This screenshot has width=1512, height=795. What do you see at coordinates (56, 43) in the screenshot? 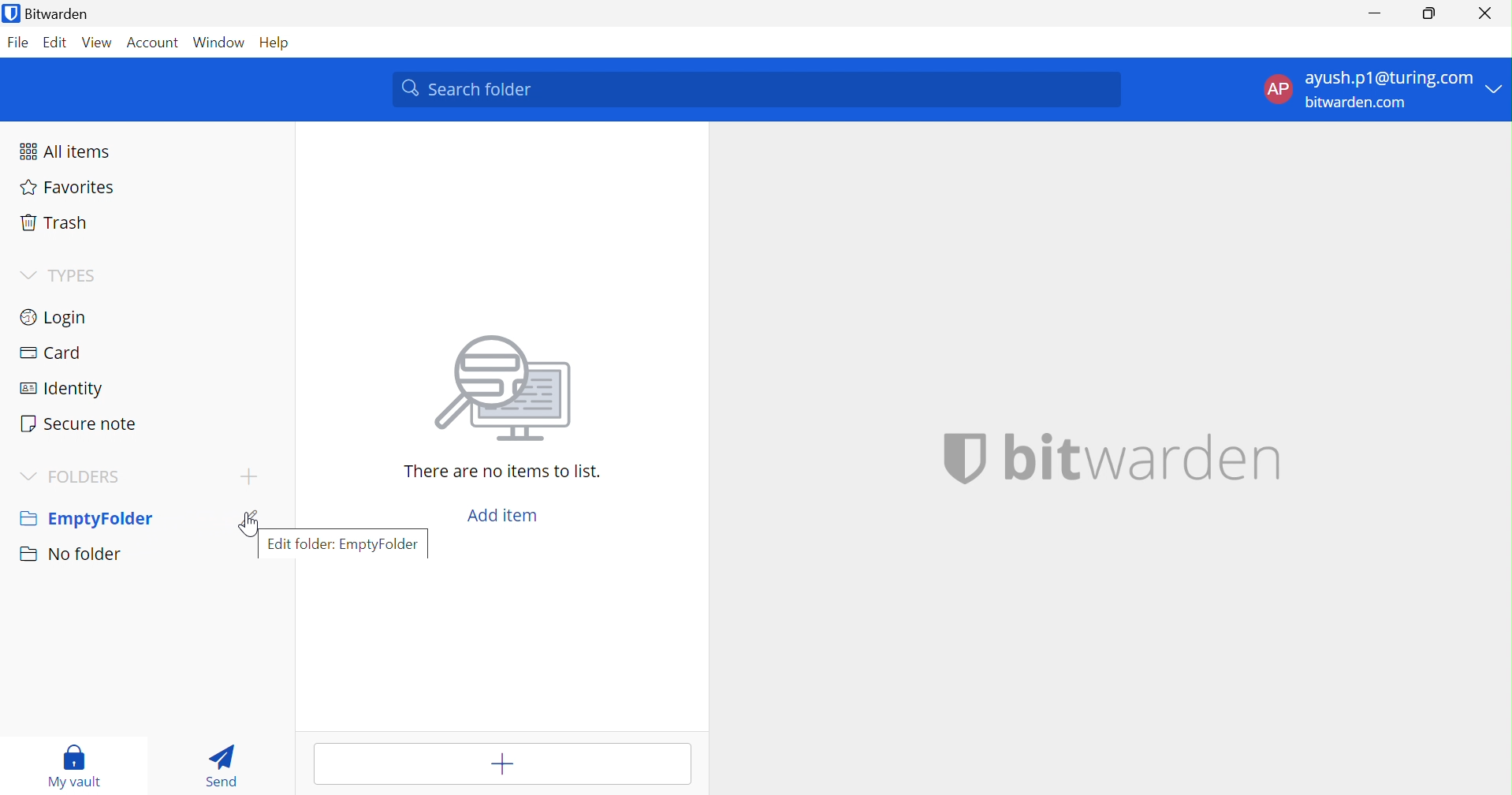
I see `Edit` at bounding box center [56, 43].